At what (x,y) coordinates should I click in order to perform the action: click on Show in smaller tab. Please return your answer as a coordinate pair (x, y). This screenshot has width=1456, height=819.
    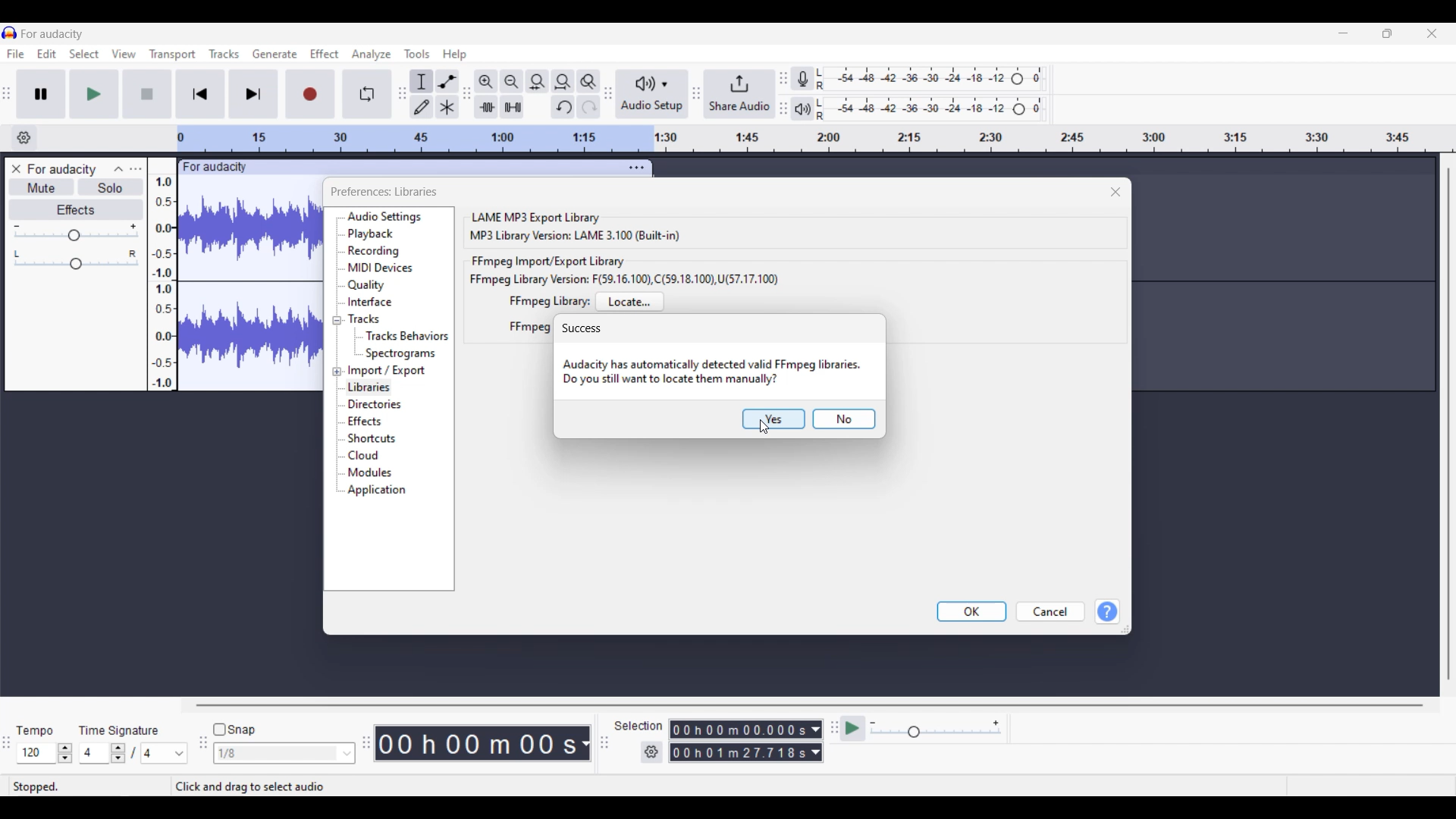
    Looking at the image, I should click on (1387, 33).